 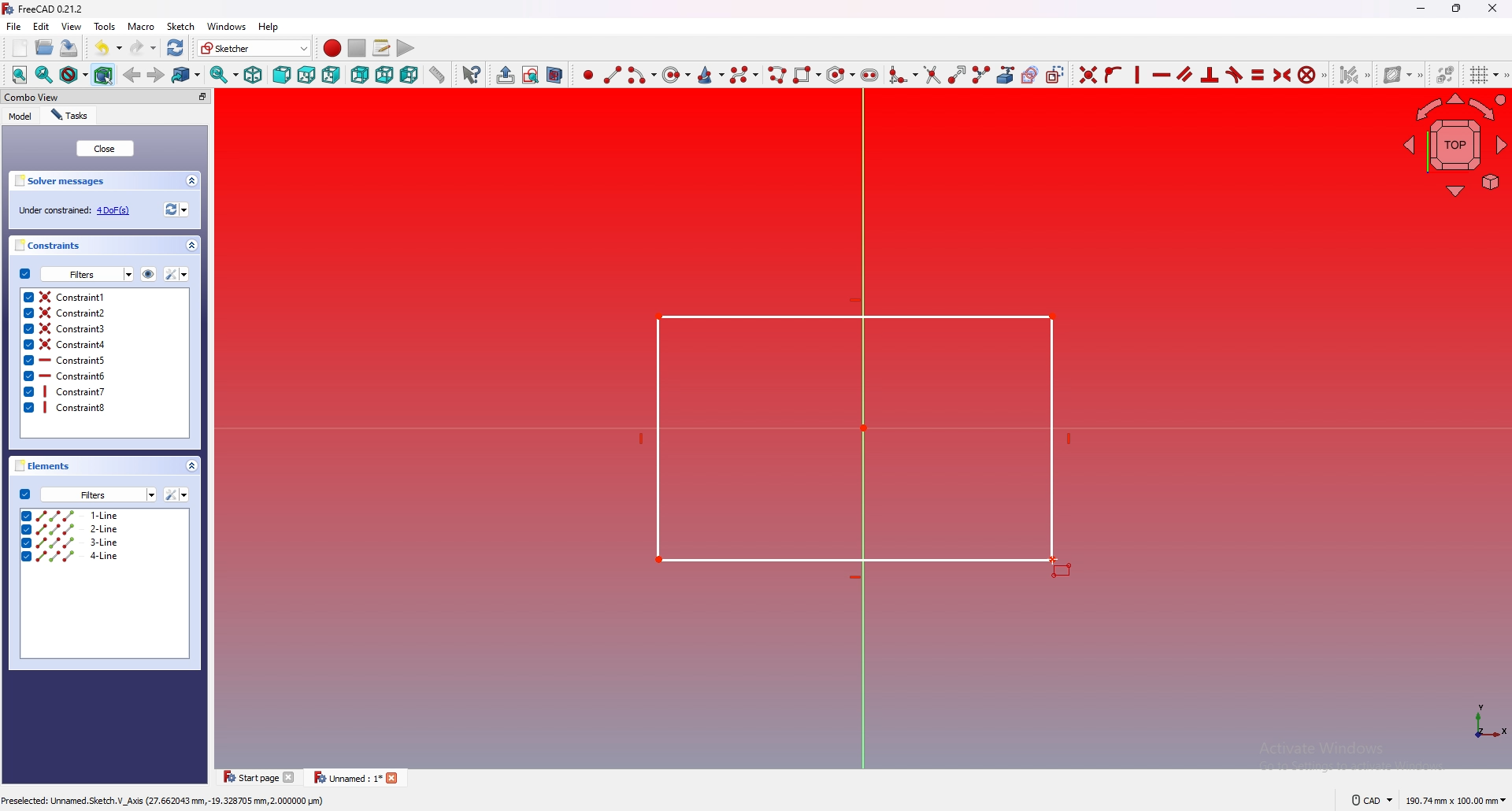 I want to click on 2 line, so click(x=107, y=528).